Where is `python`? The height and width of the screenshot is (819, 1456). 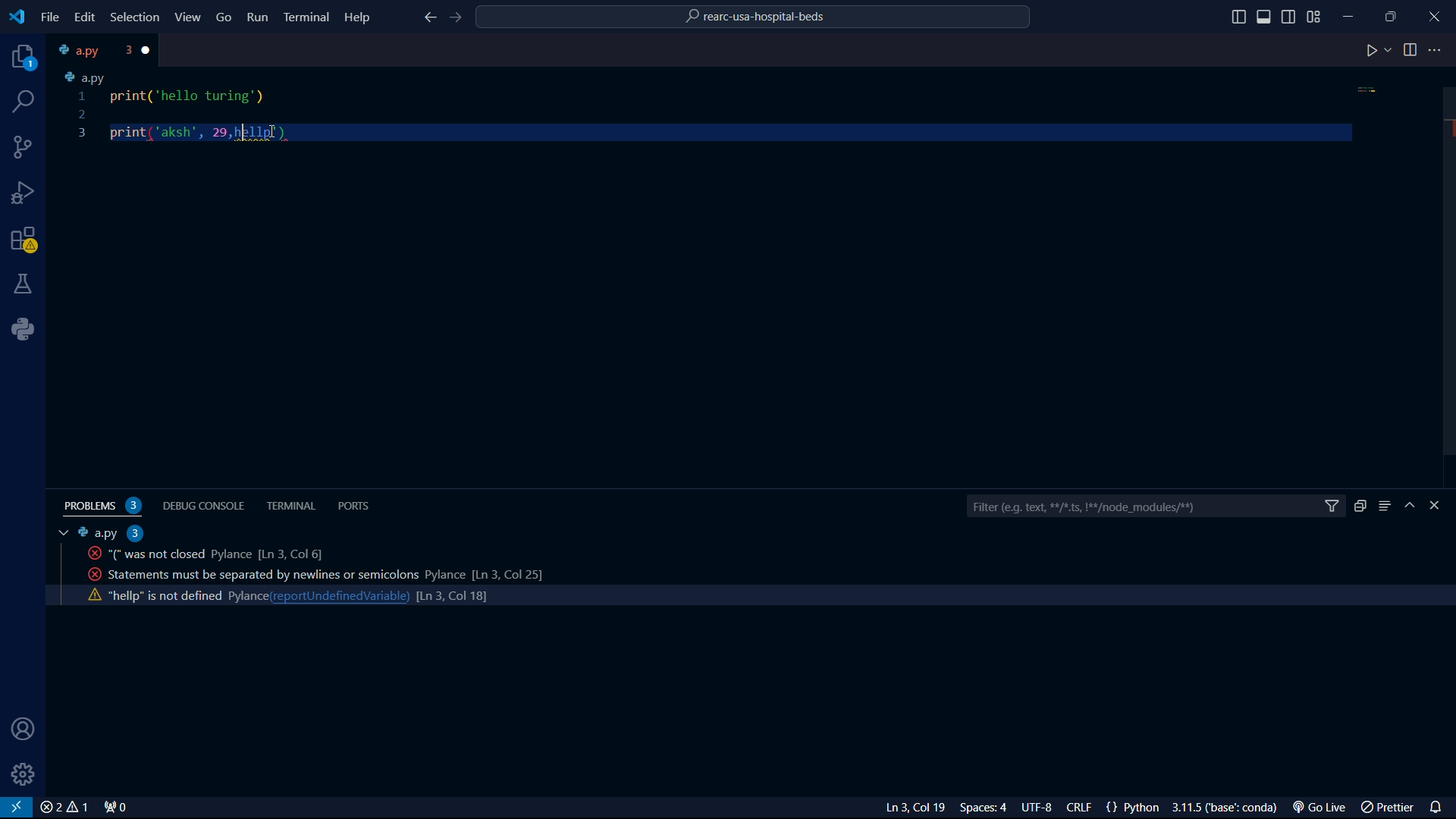
python is located at coordinates (28, 329).